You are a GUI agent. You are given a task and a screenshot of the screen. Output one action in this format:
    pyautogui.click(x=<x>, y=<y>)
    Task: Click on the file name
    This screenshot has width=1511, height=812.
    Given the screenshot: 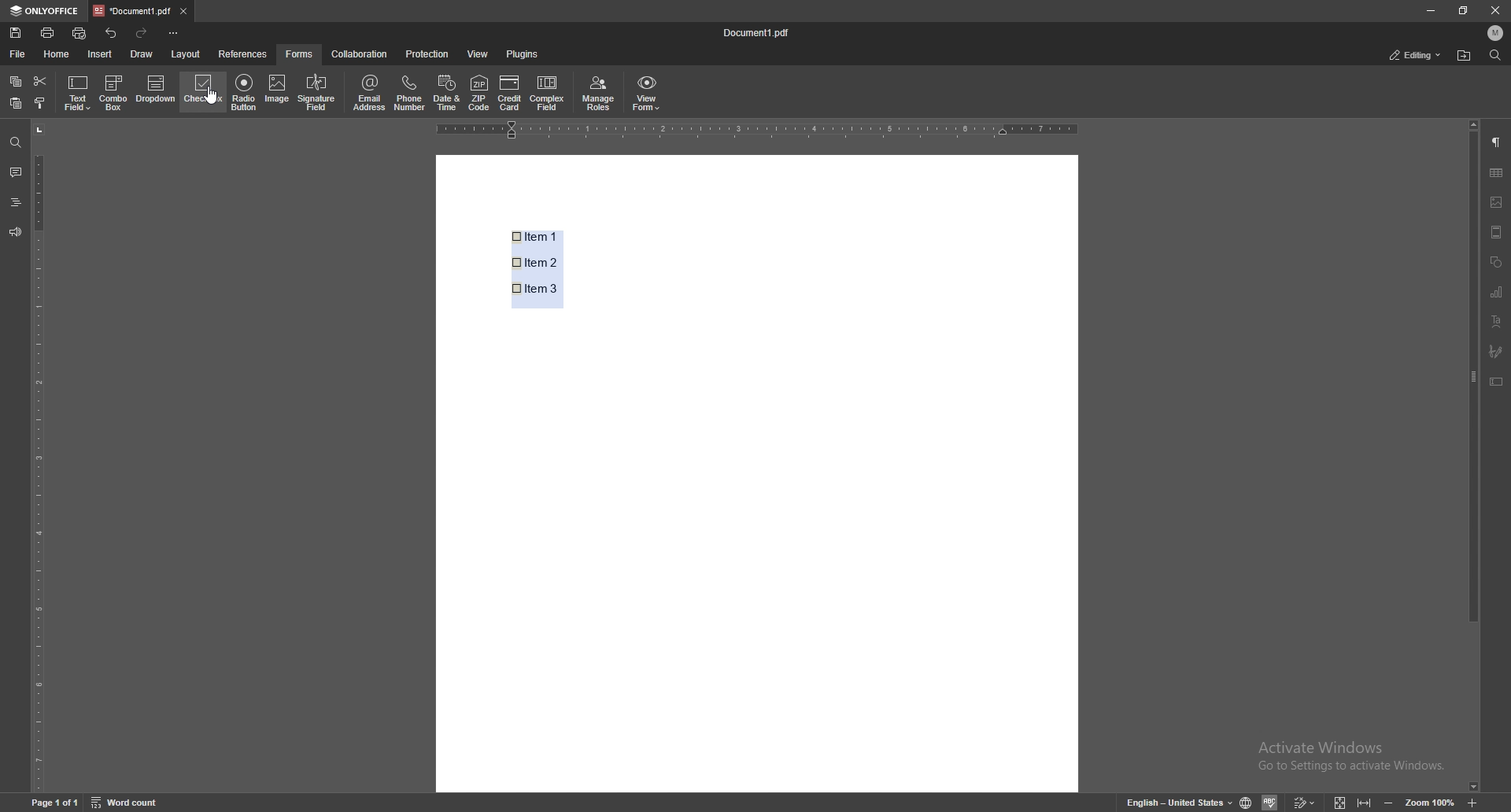 What is the action you would take?
    pyautogui.click(x=759, y=31)
    